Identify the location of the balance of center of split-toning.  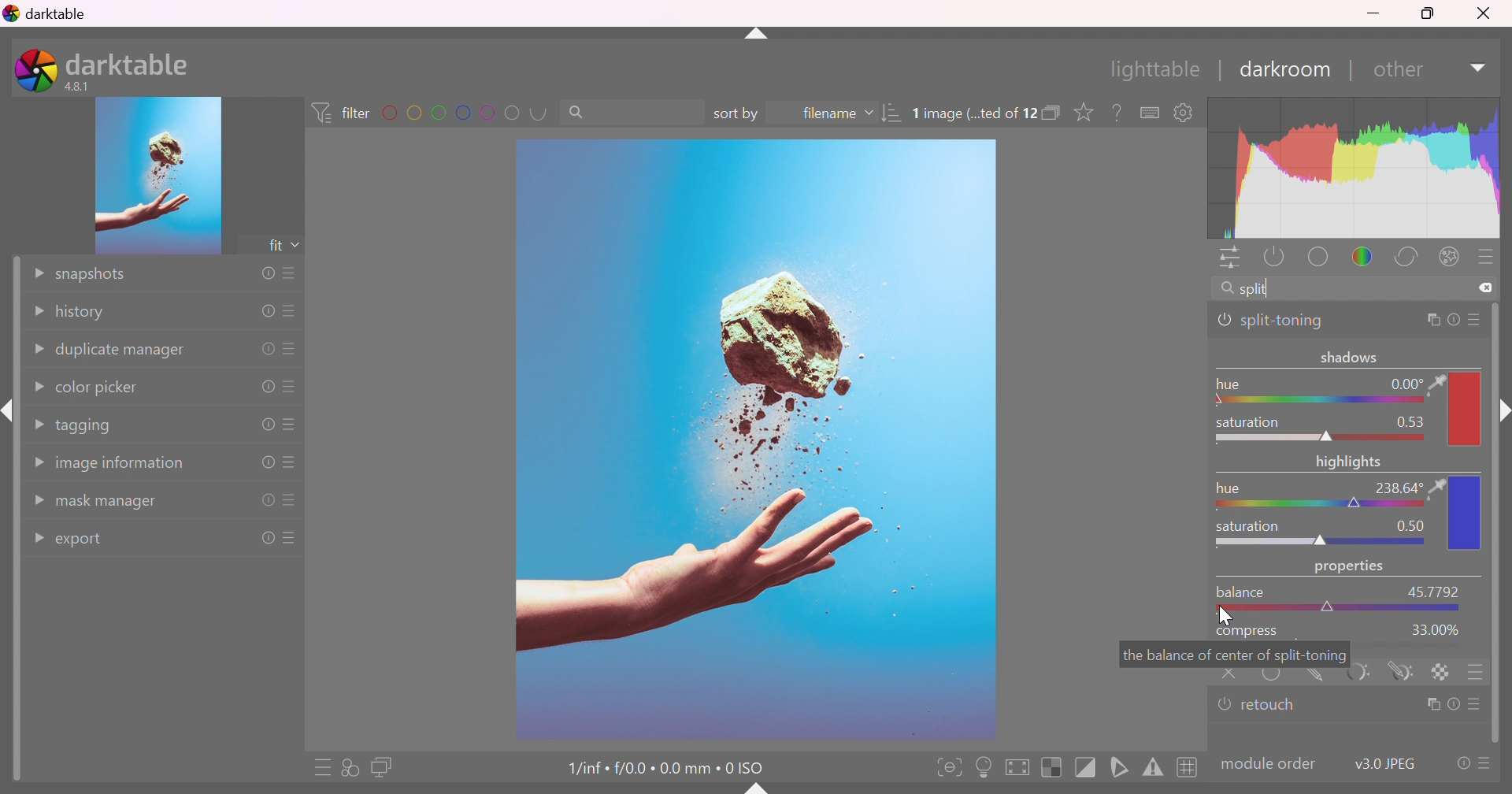
(1236, 655).